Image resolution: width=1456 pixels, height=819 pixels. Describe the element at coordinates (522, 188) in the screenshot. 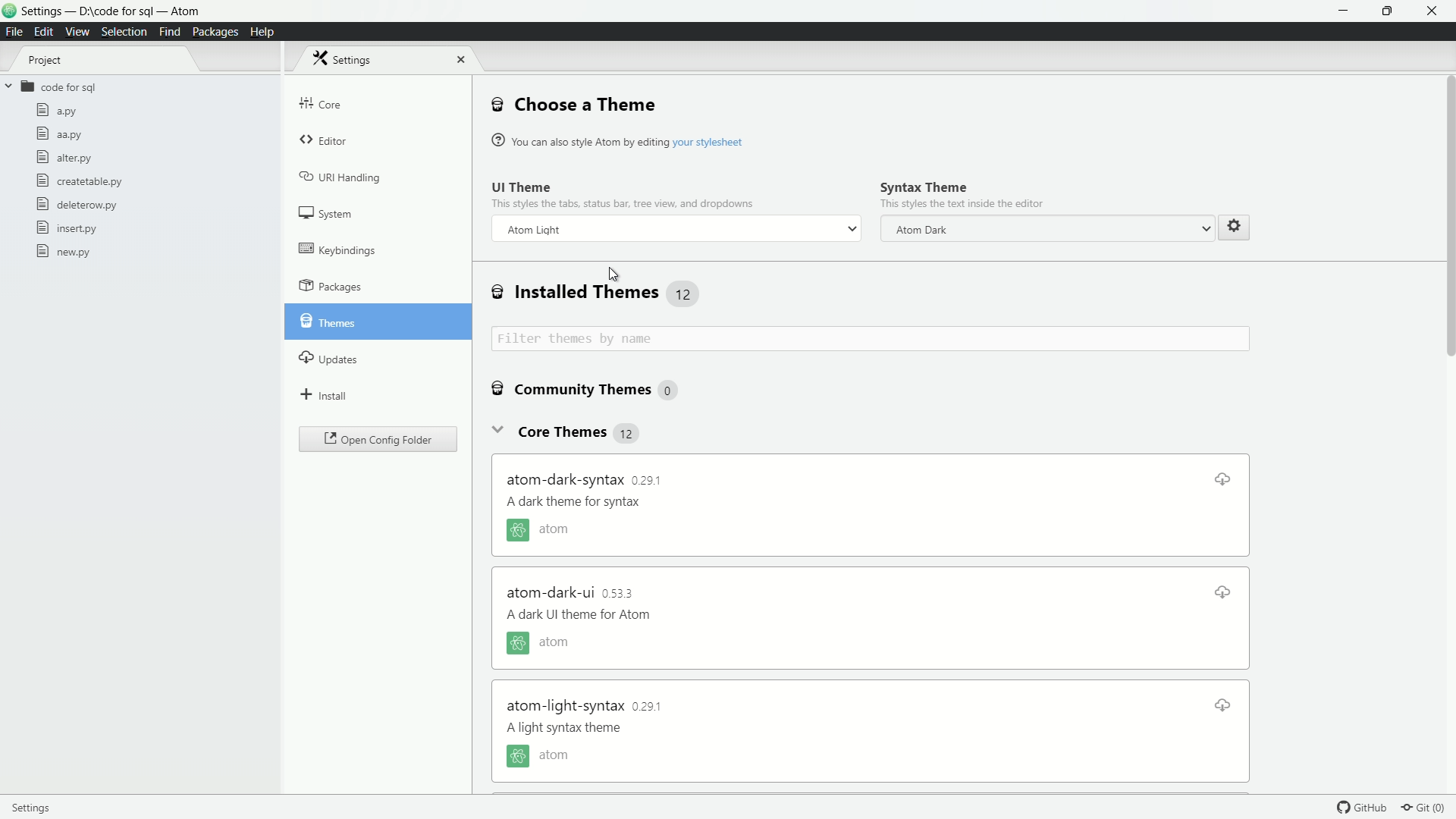

I see `ui theme` at that location.